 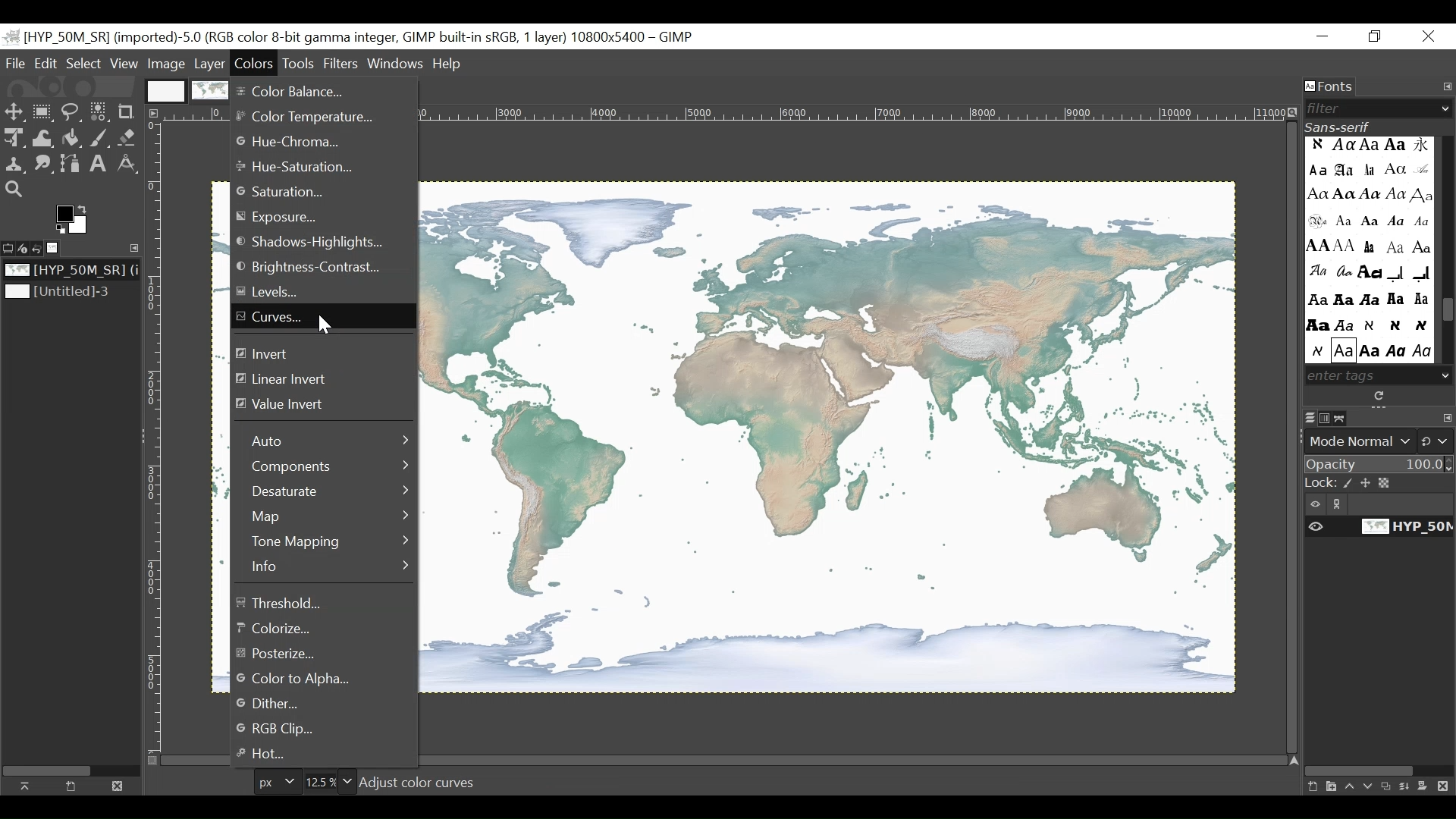 I want to click on Desaturate, so click(x=325, y=491).